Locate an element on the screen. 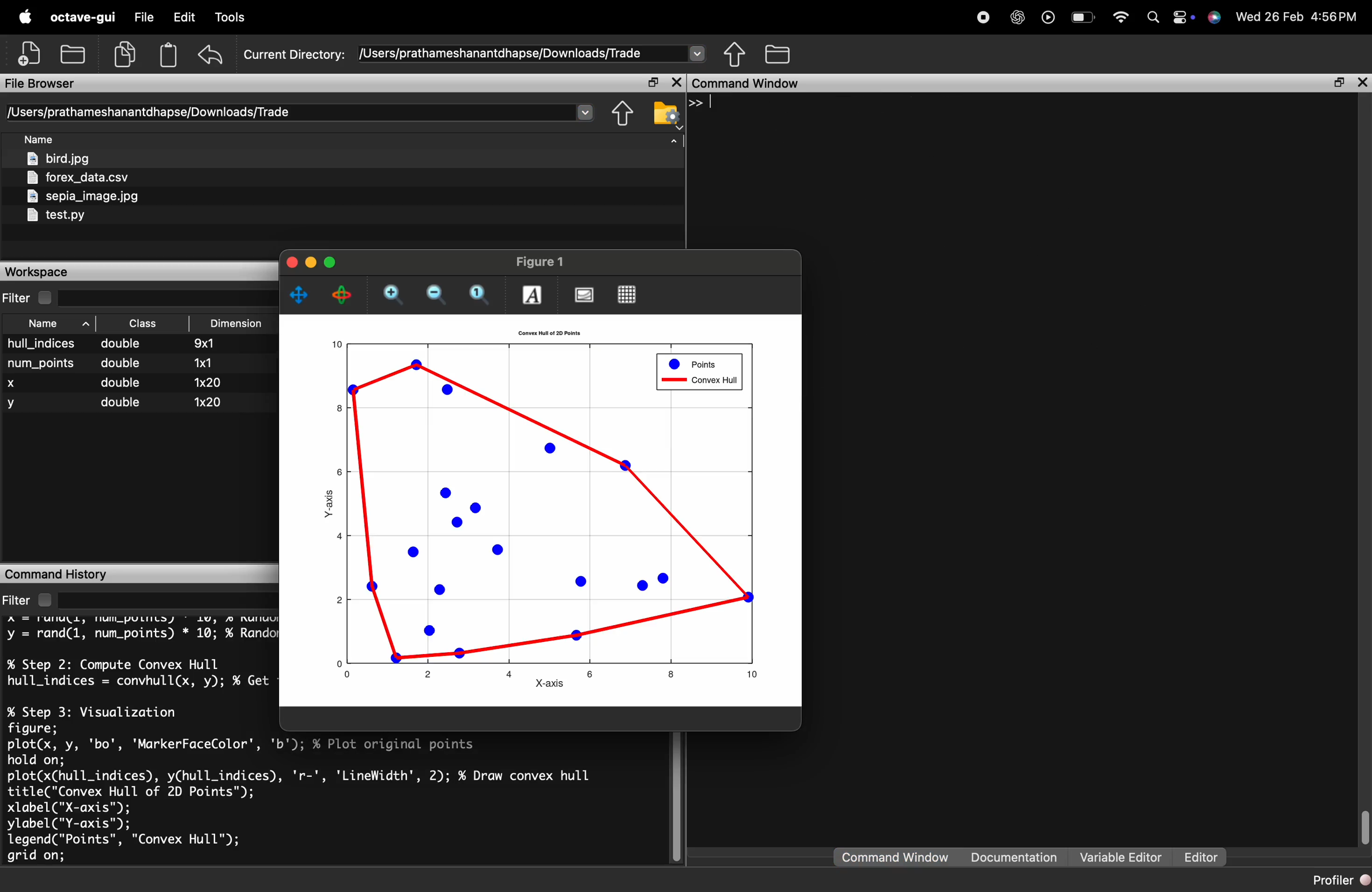 This screenshot has height=892, width=1372. add file is located at coordinates (31, 52).